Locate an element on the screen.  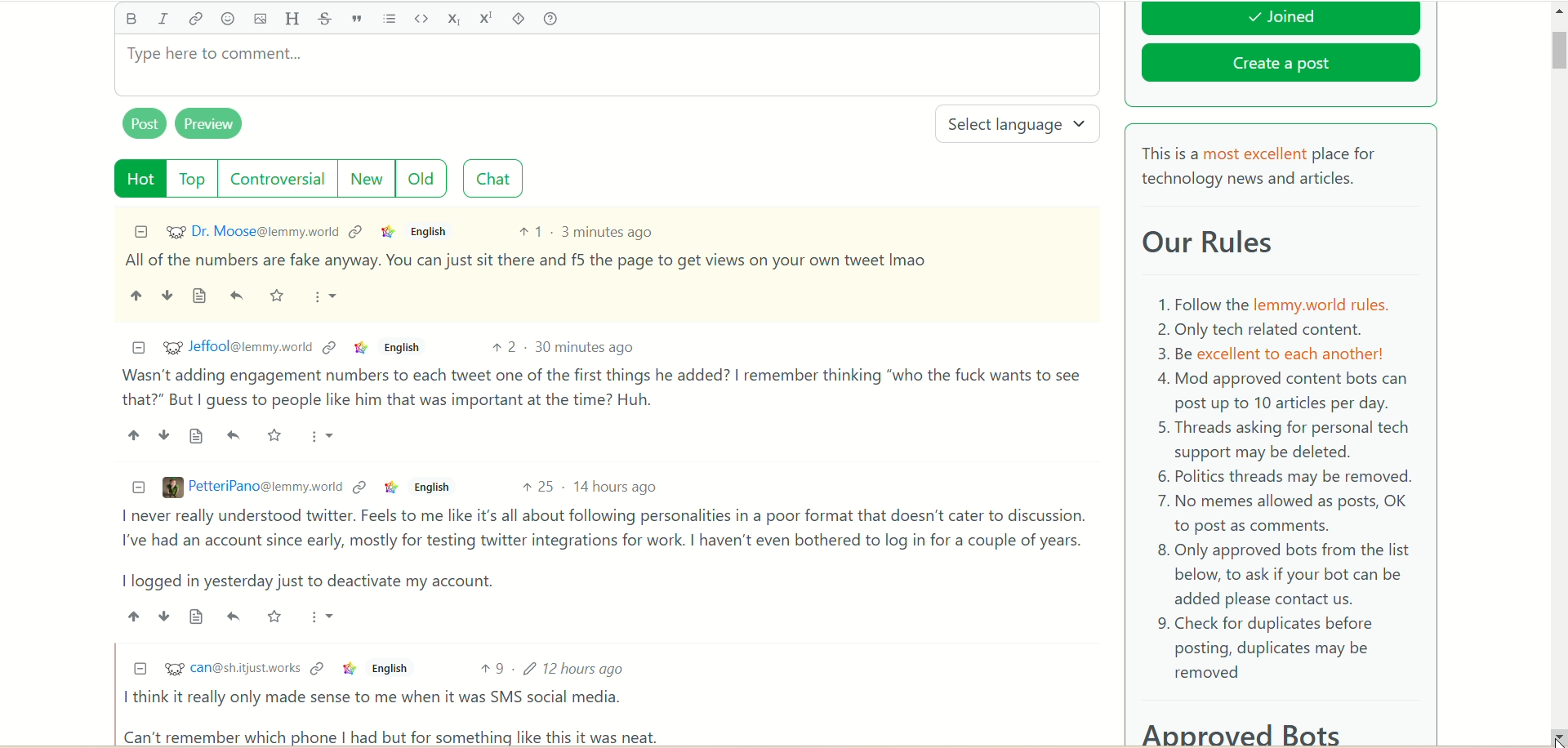
Share is located at coordinates (234, 435).